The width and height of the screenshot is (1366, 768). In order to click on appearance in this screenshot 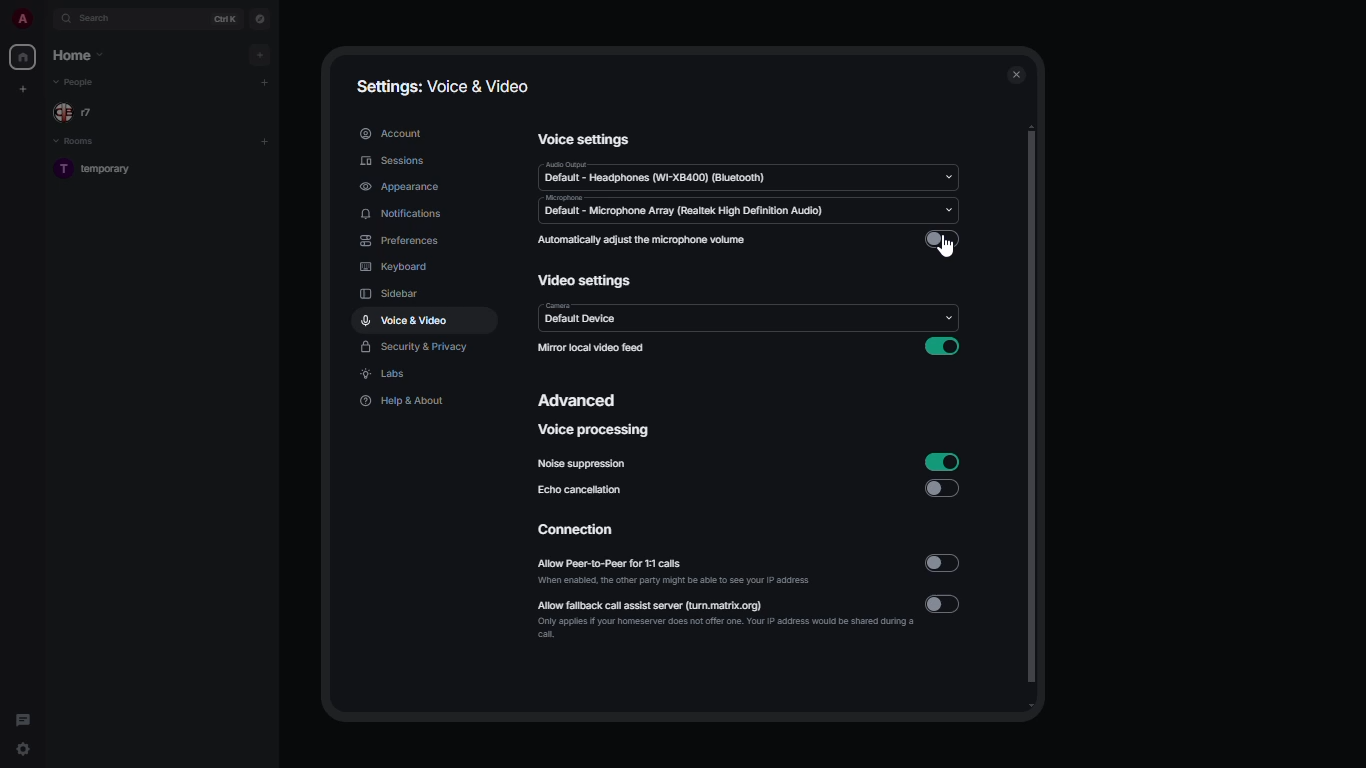, I will do `click(400, 188)`.